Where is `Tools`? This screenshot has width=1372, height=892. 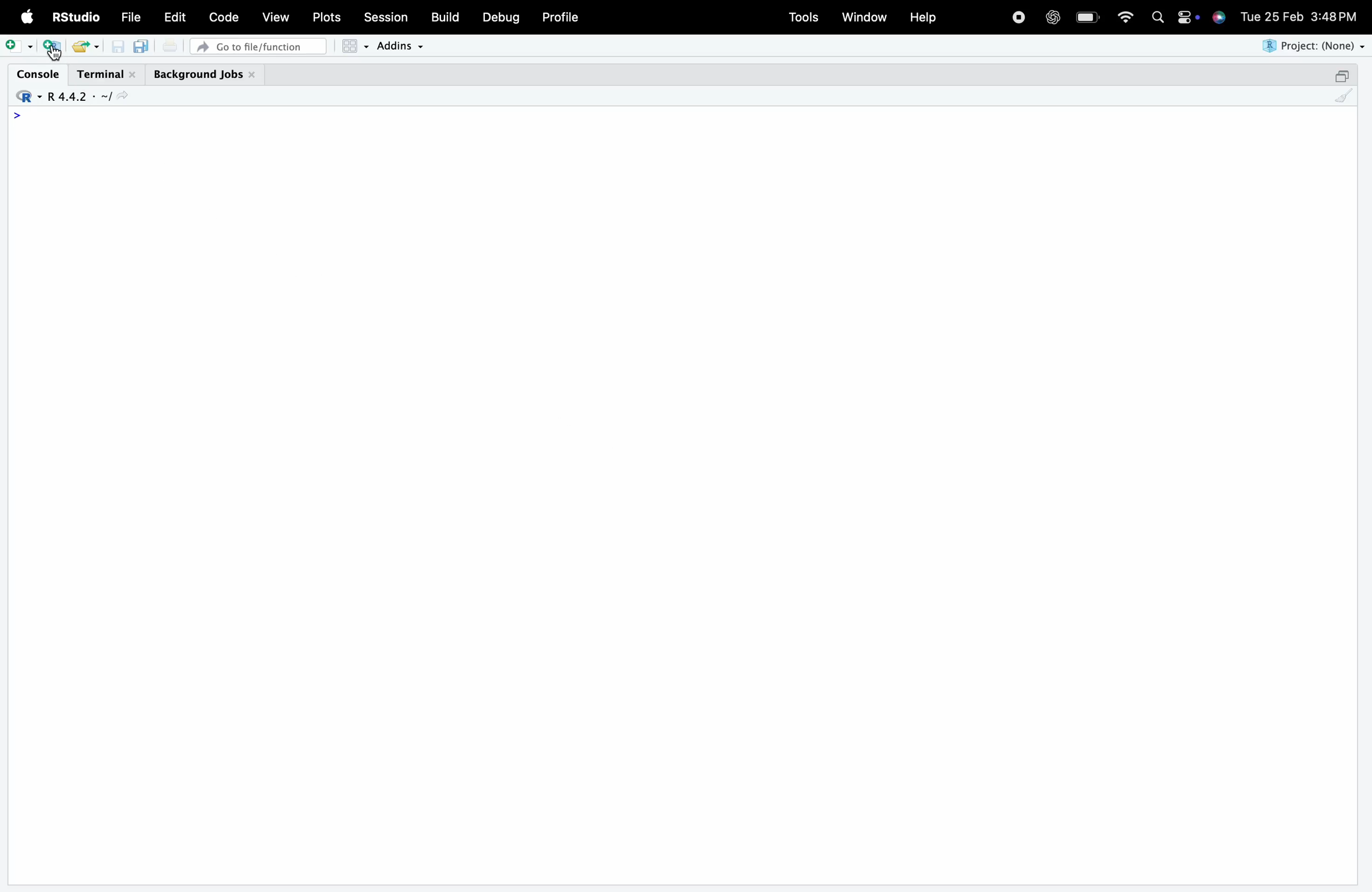 Tools is located at coordinates (804, 17).